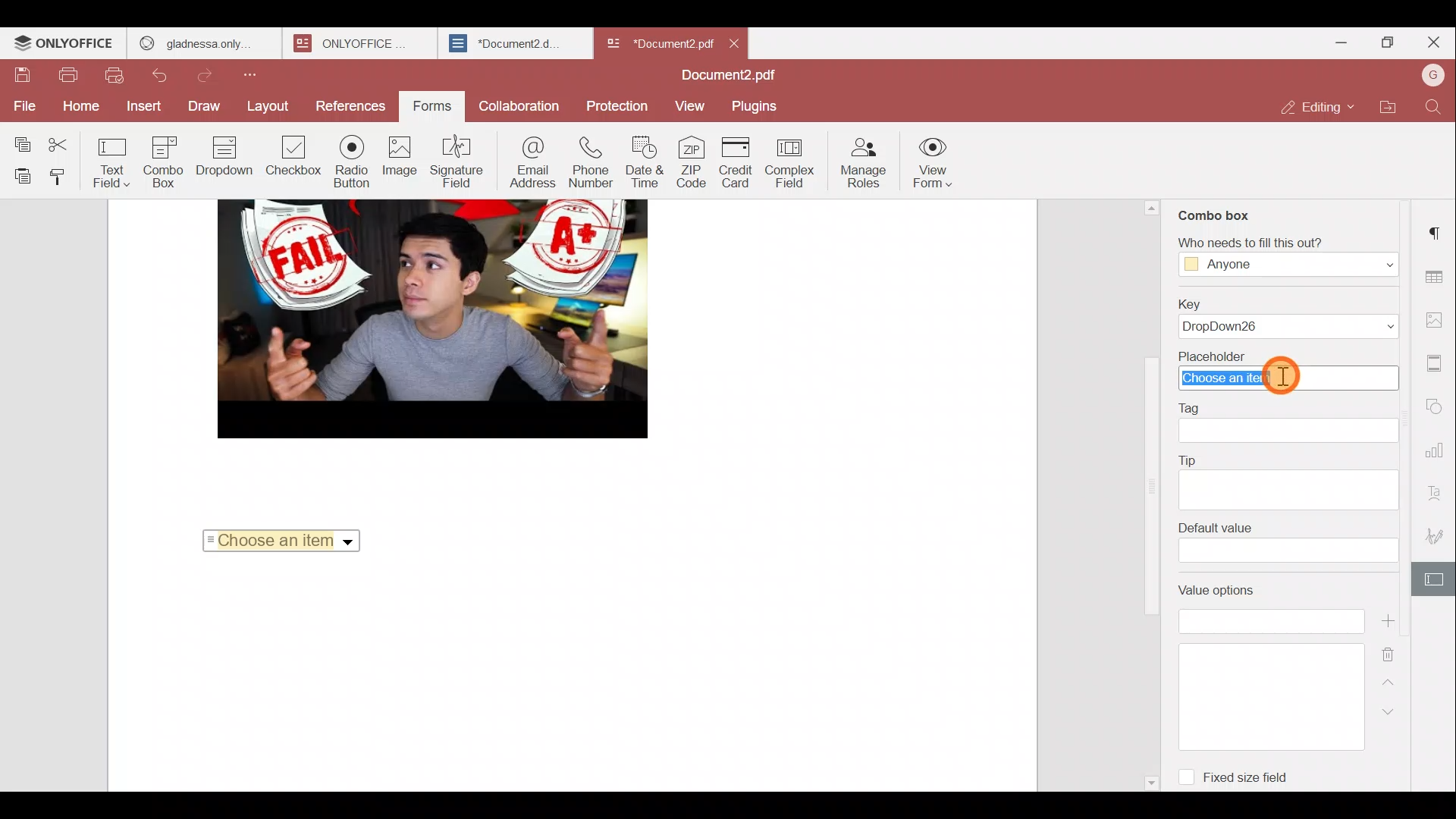  I want to click on Checkbox, so click(290, 158).